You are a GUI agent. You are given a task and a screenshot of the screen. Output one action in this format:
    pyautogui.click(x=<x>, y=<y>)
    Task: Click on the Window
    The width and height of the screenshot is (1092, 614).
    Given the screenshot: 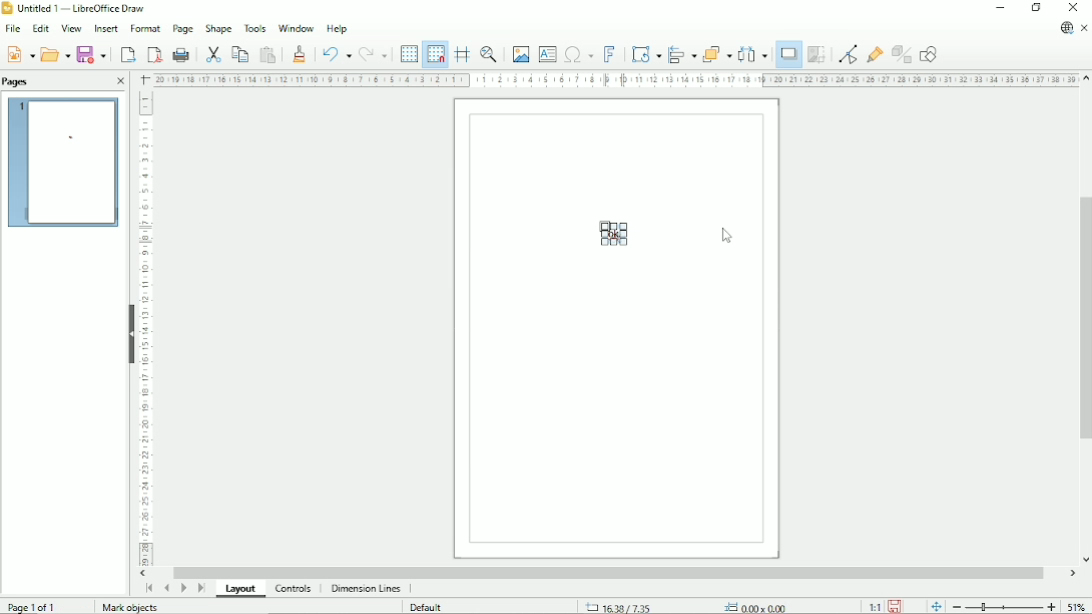 What is the action you would take?
    pyautogui.click(x=295, y=27)
    